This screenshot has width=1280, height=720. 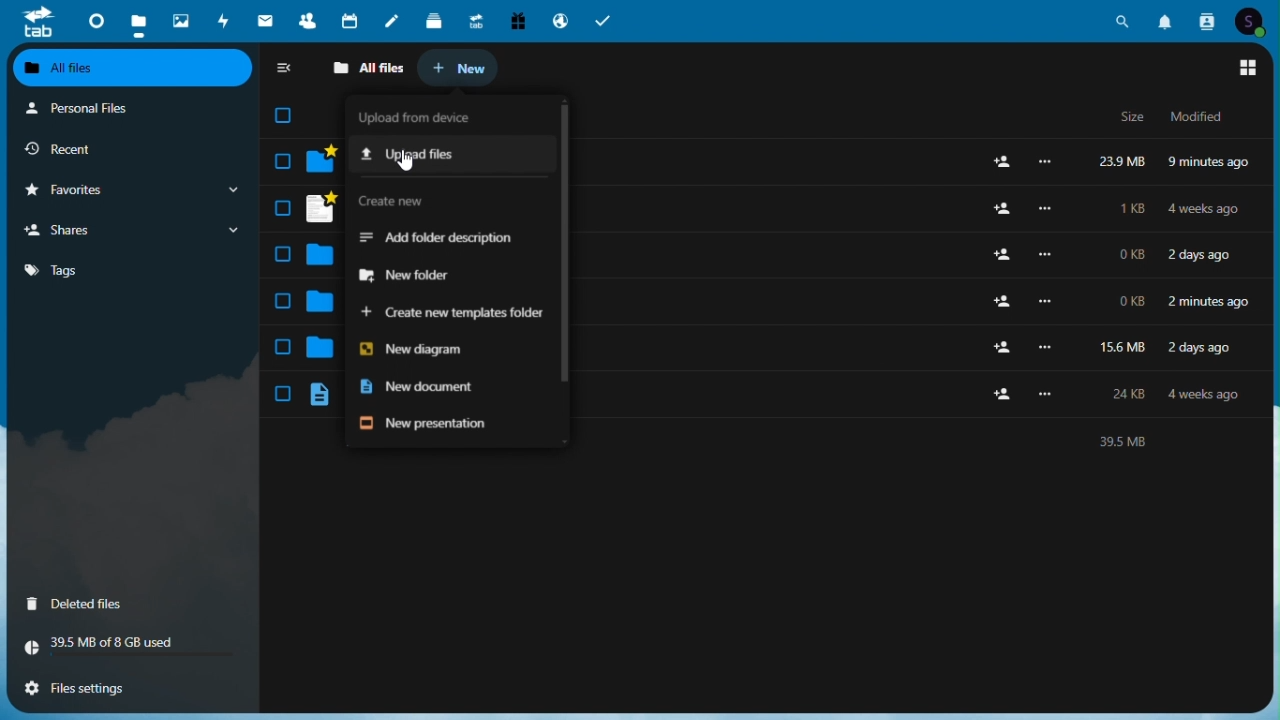 What do you see at coordinates (370, 68) in the screenshot?
I see `All files` at bounding box center [370, 68].